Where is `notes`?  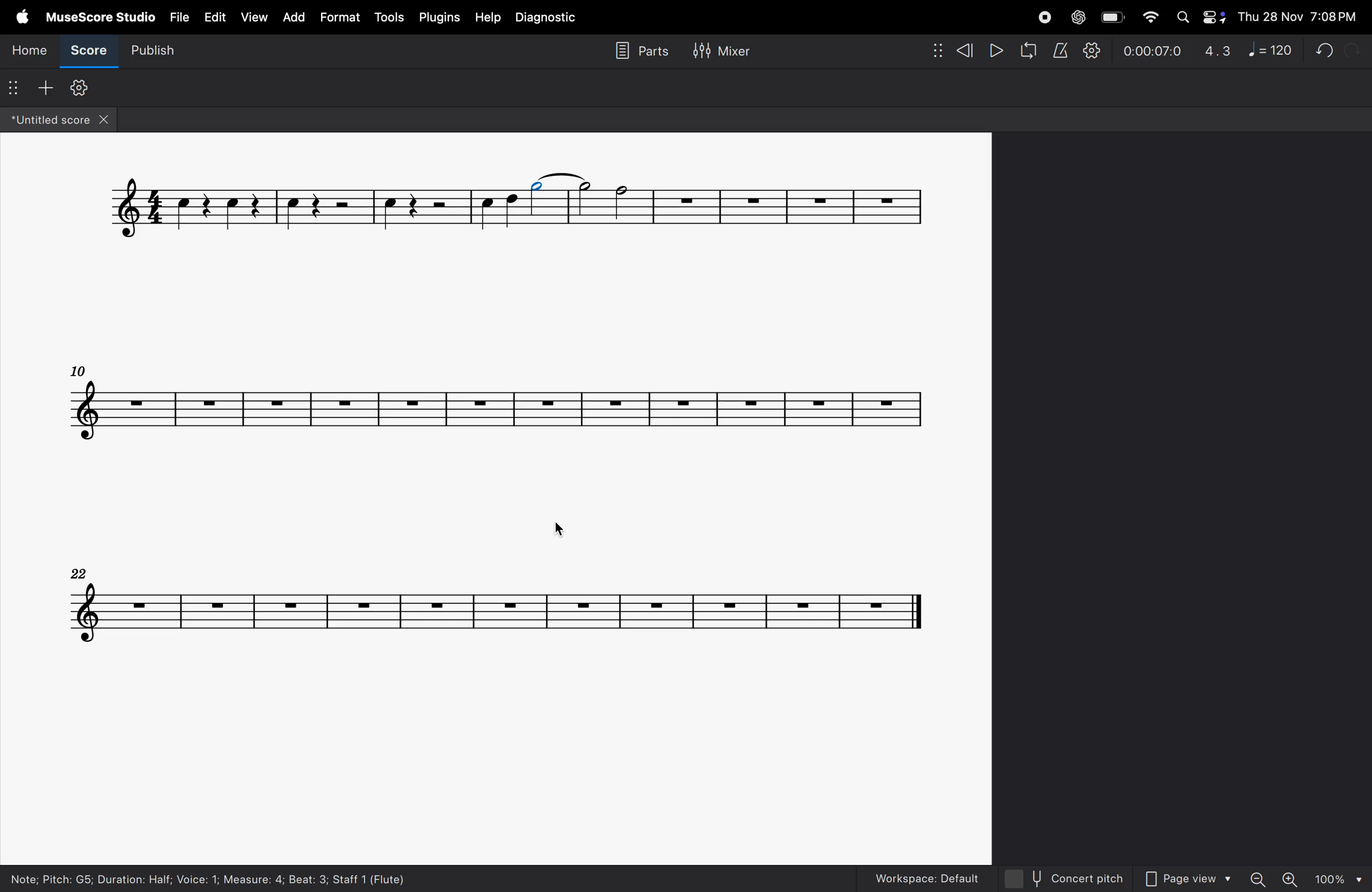
notes is located at coordinates (494, 400).